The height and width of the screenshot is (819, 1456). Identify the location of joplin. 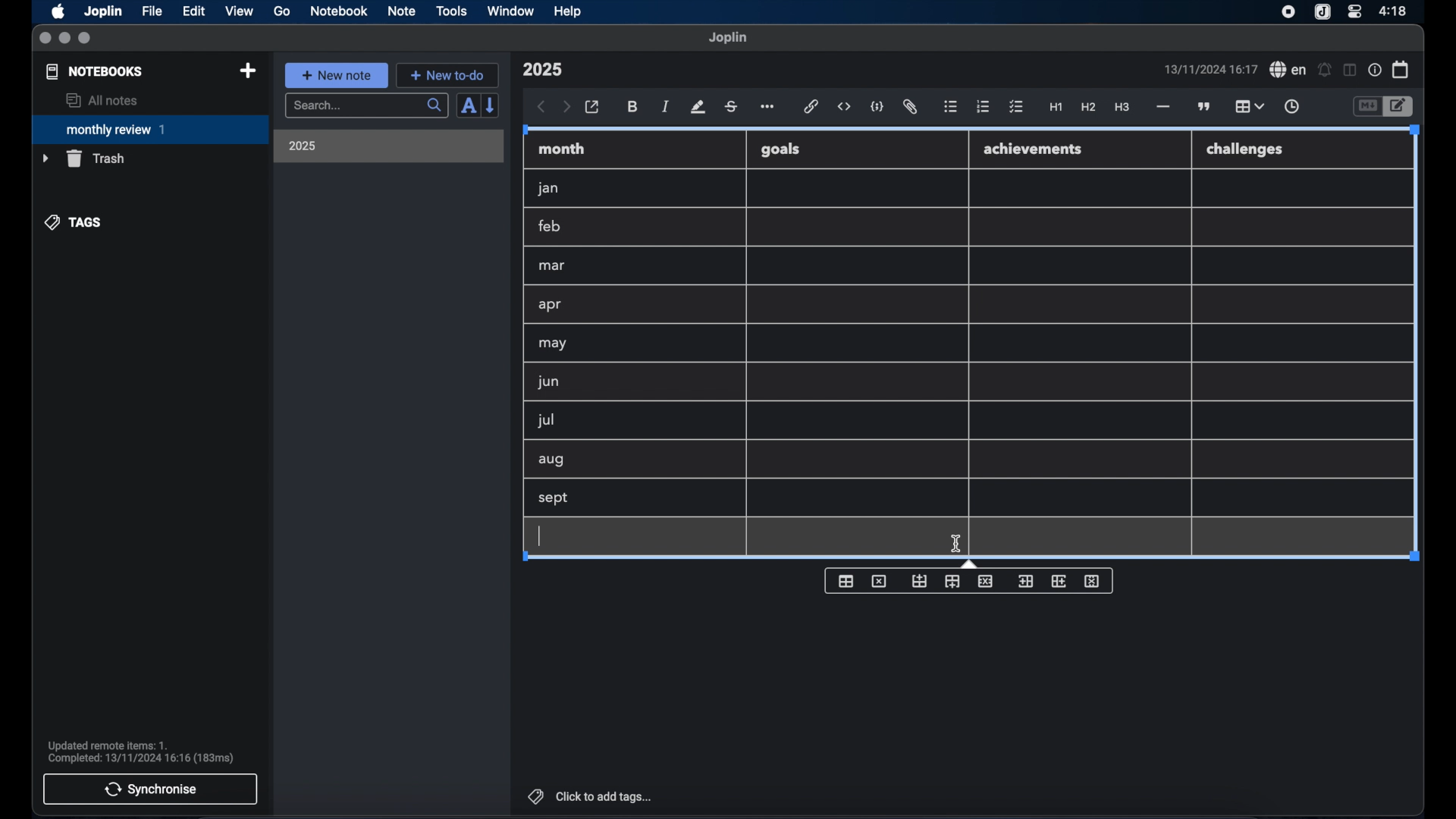
(728, 37).